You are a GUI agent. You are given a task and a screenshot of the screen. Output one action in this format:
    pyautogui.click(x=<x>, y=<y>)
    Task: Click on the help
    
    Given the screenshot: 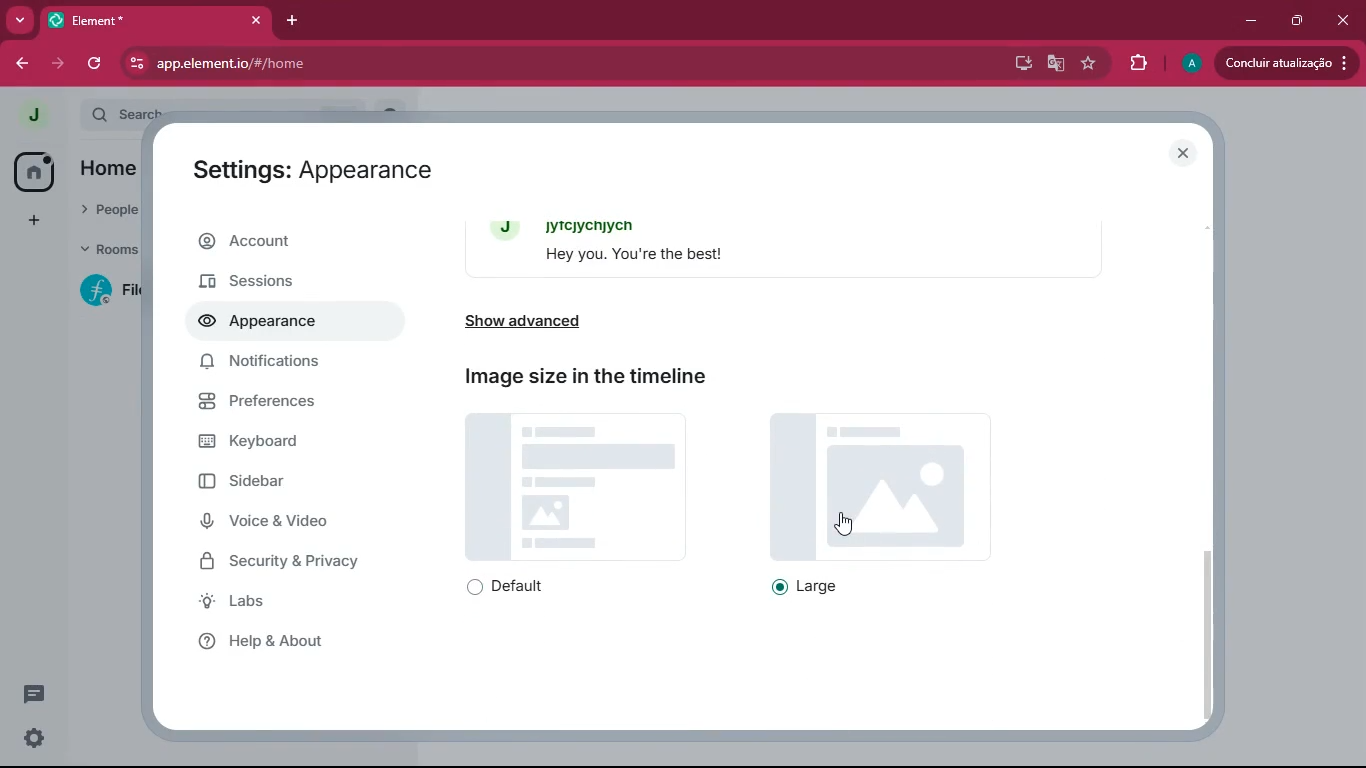 What is the action you would take?
    pyautogui.click(x=279, y=641)
    